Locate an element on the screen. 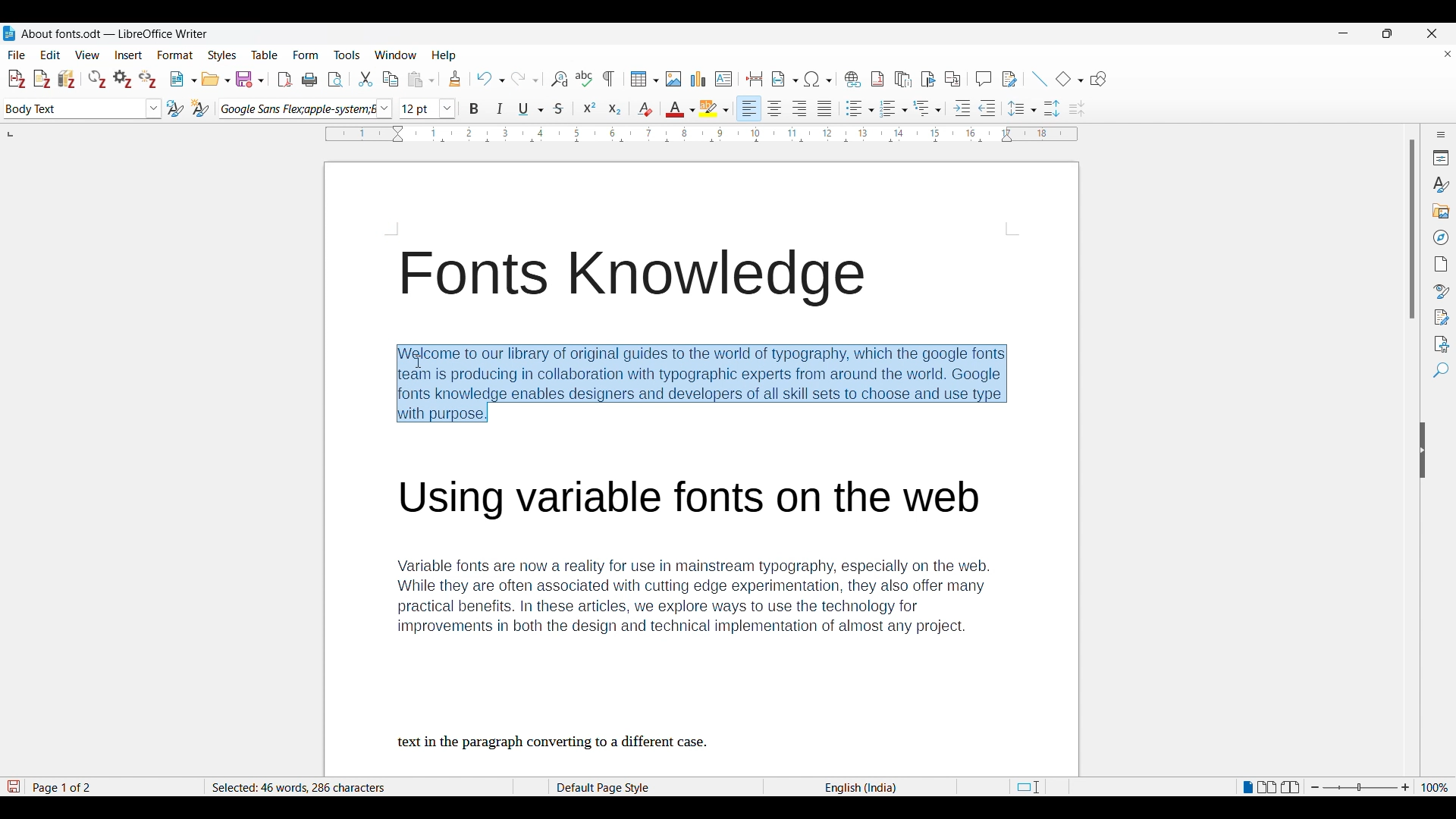 This screenshot has width=1456, height=819. Vertical slide bar is located at coordinates (1413, 230).